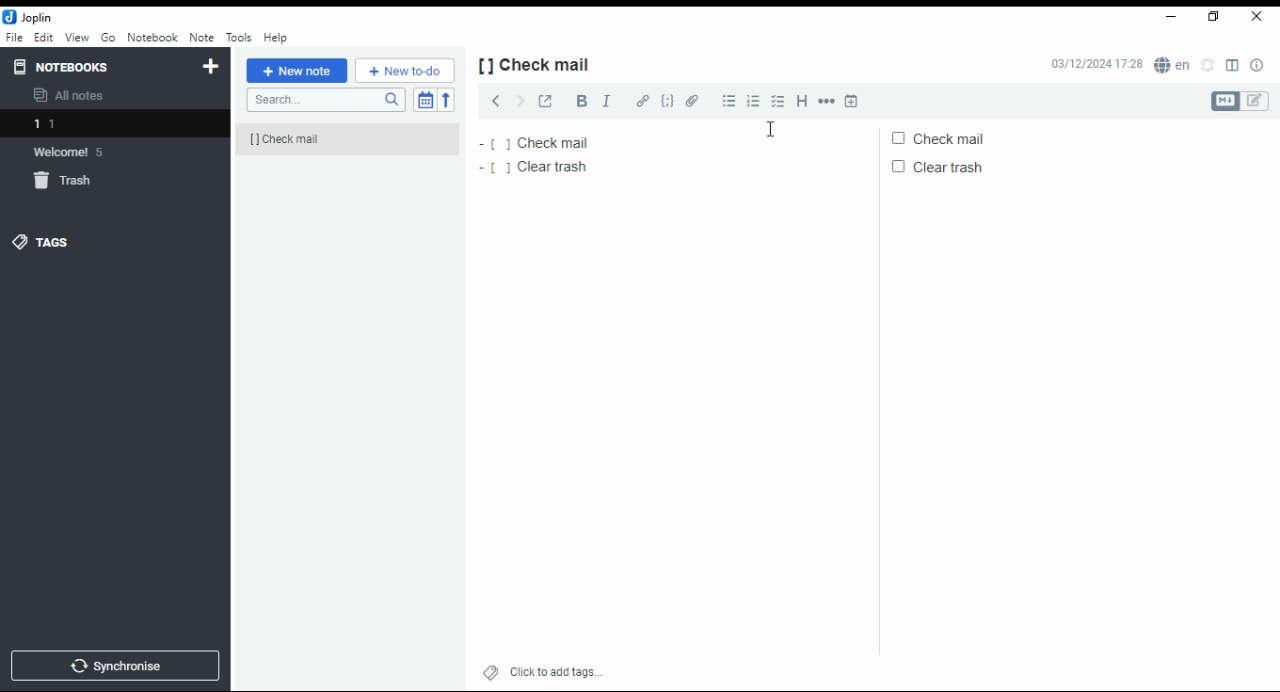 The width and height of the screenshot is (1280, 692). Describe the element at coordinates (752, 102) in the screenshot. I see `numbered list` at that location.